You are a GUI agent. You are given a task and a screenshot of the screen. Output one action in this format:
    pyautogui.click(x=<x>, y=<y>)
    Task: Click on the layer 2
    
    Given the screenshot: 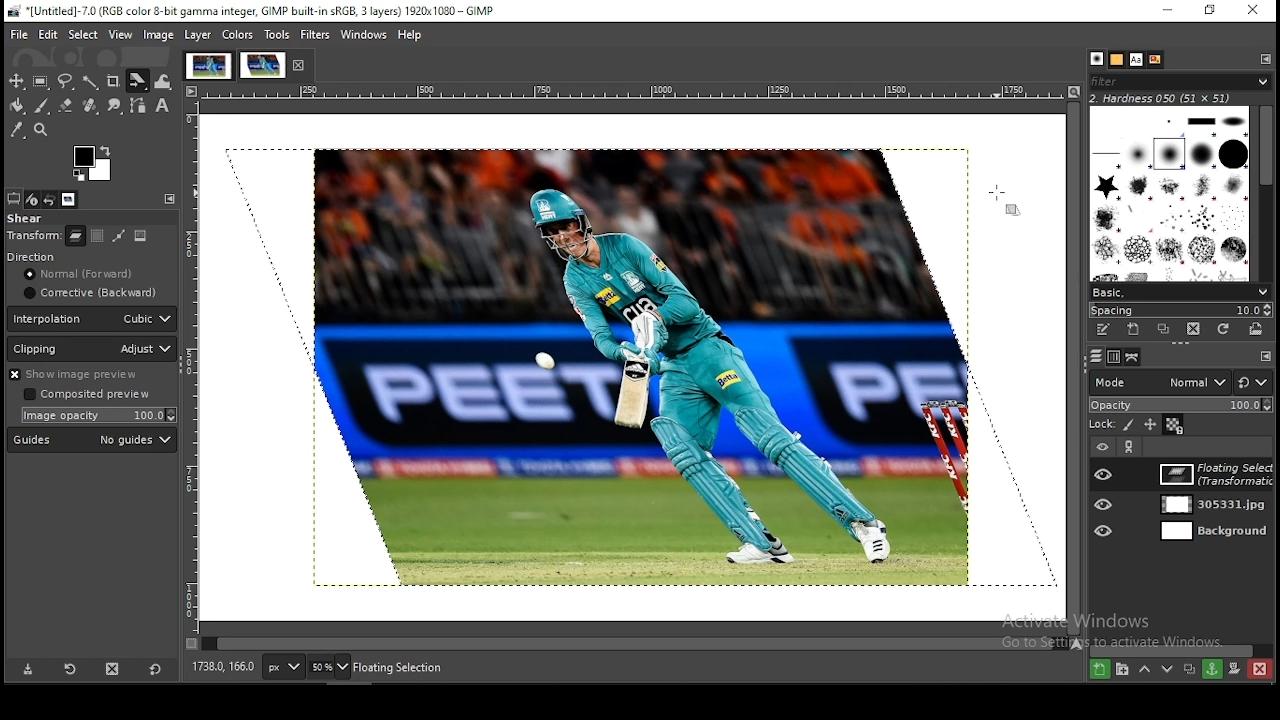 What is the action you would take?
    pyautogui.click(x=1207, y=497)
    